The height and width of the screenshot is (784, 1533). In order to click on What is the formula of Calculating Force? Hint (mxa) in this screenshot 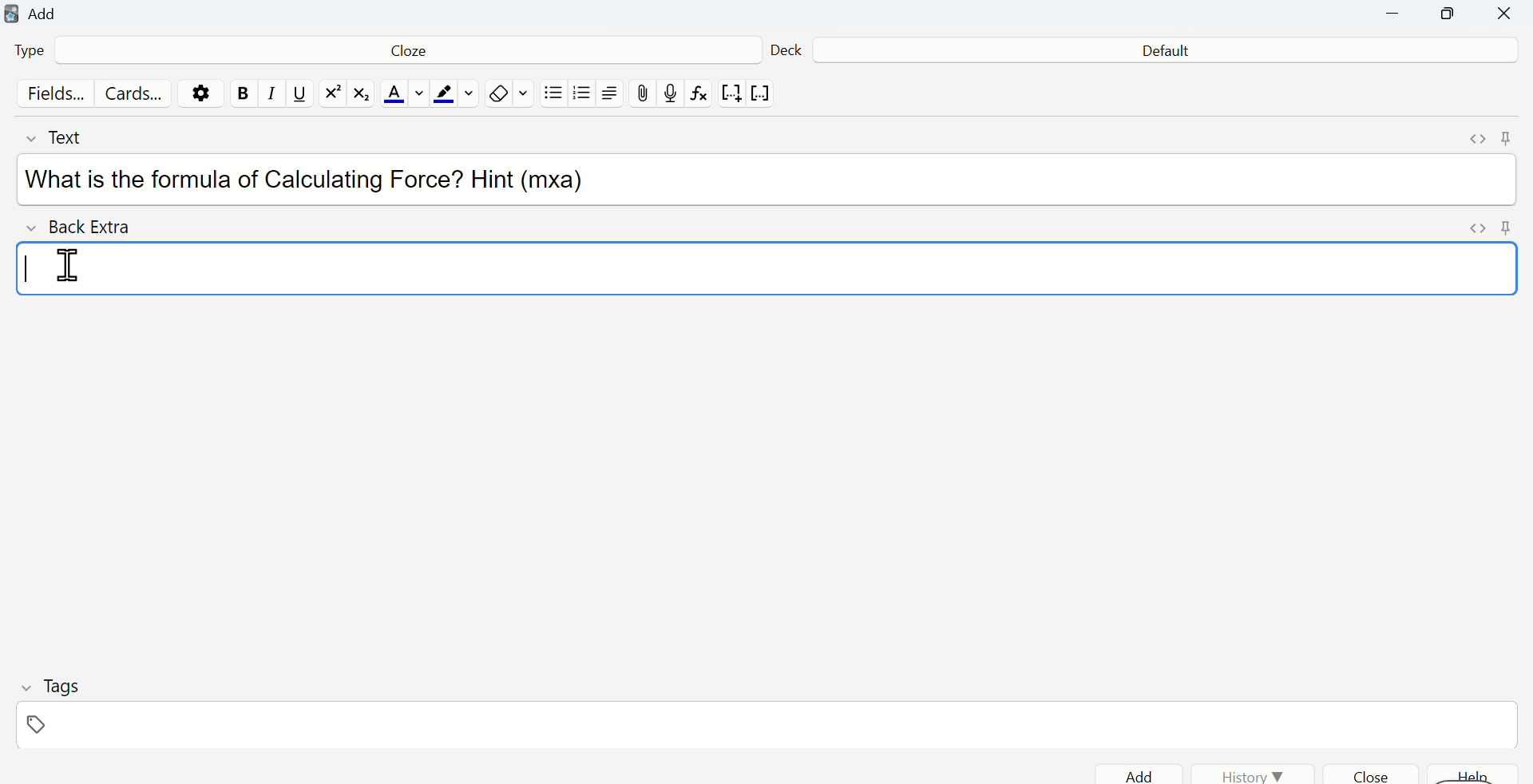, I will do `click(314, 180)`.